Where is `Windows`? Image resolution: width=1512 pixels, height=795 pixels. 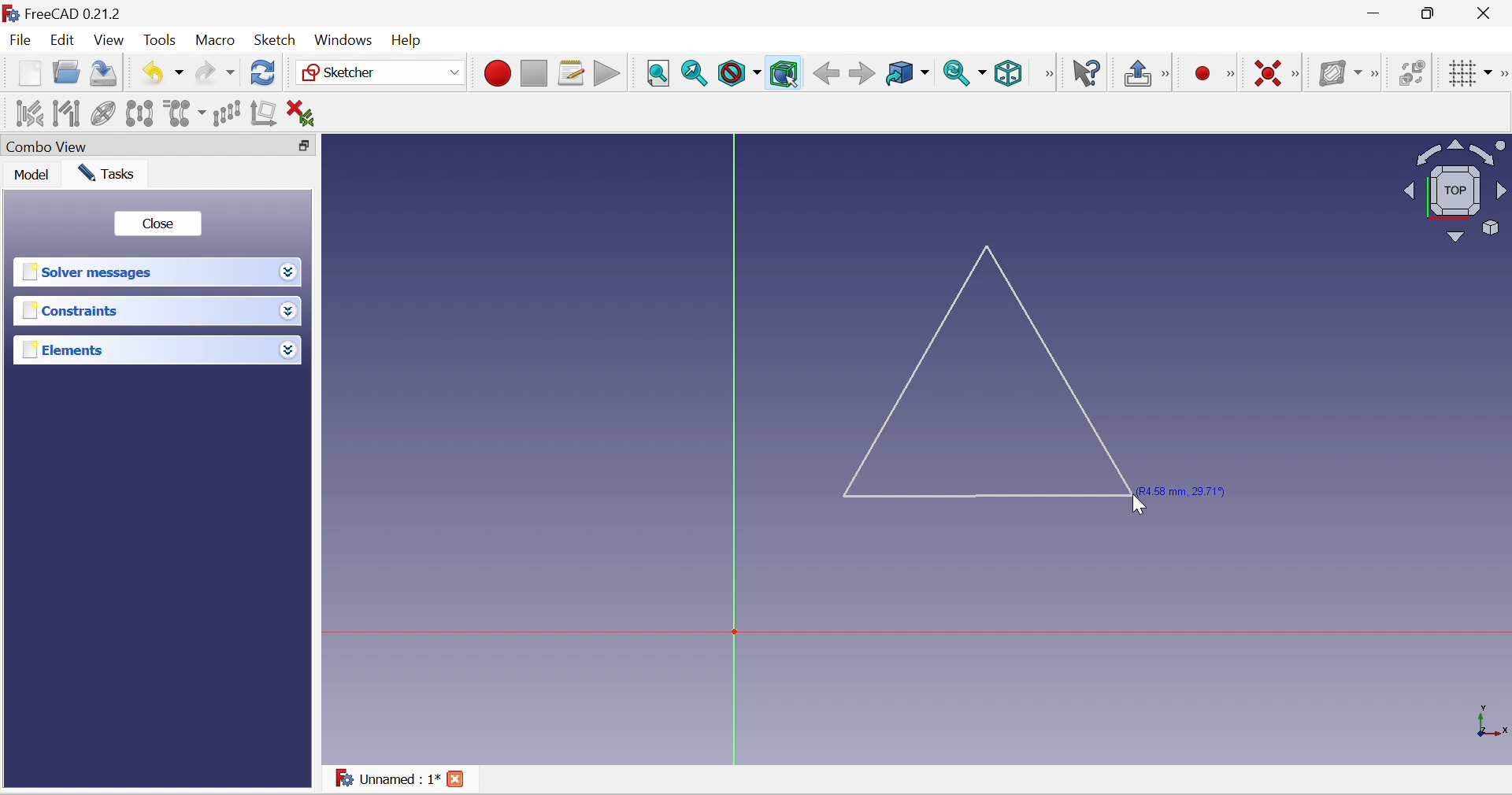 Windows is located at coordinates (344, 39).